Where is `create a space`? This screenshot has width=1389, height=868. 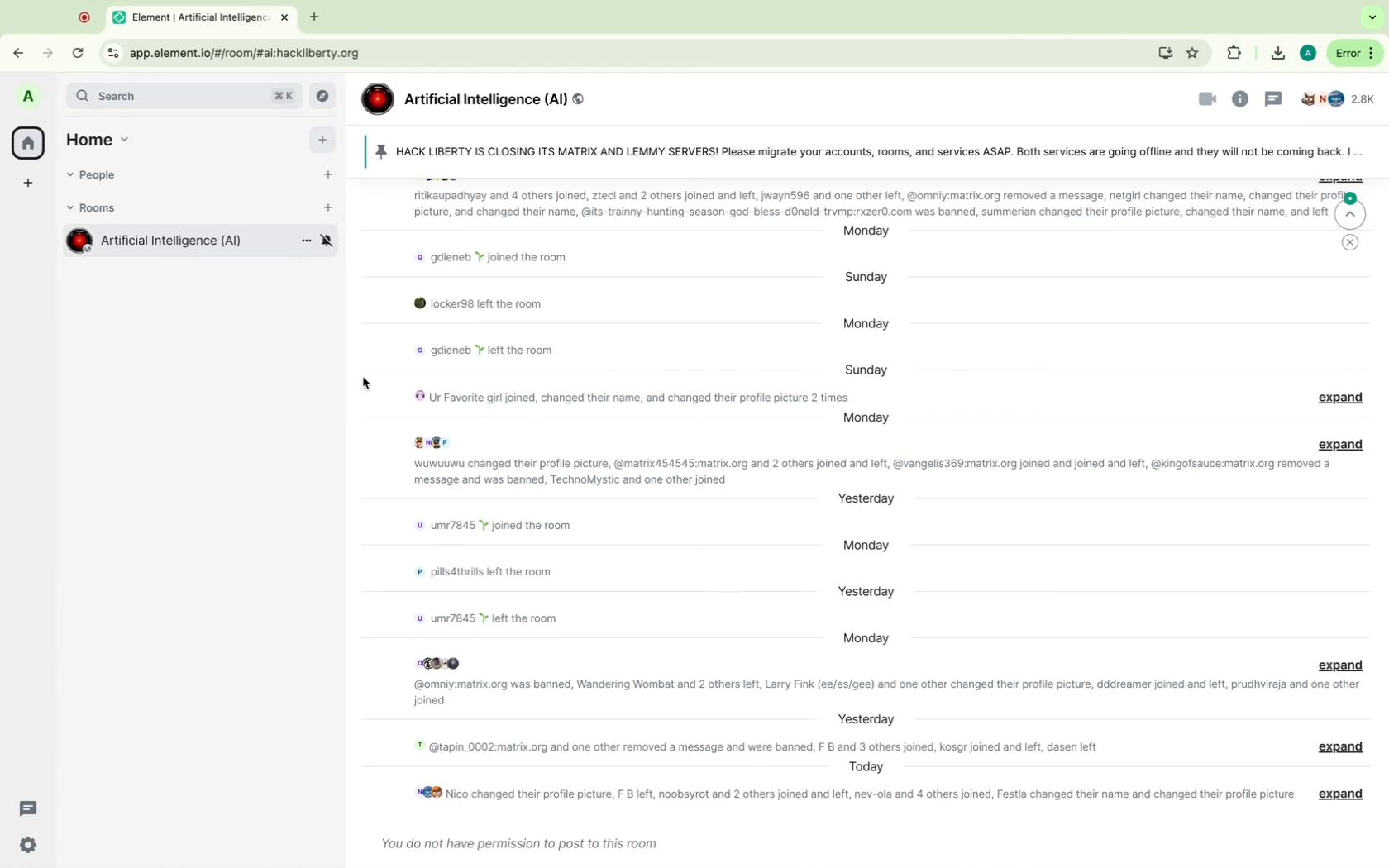
create a space is located at coordinates (28, 182).